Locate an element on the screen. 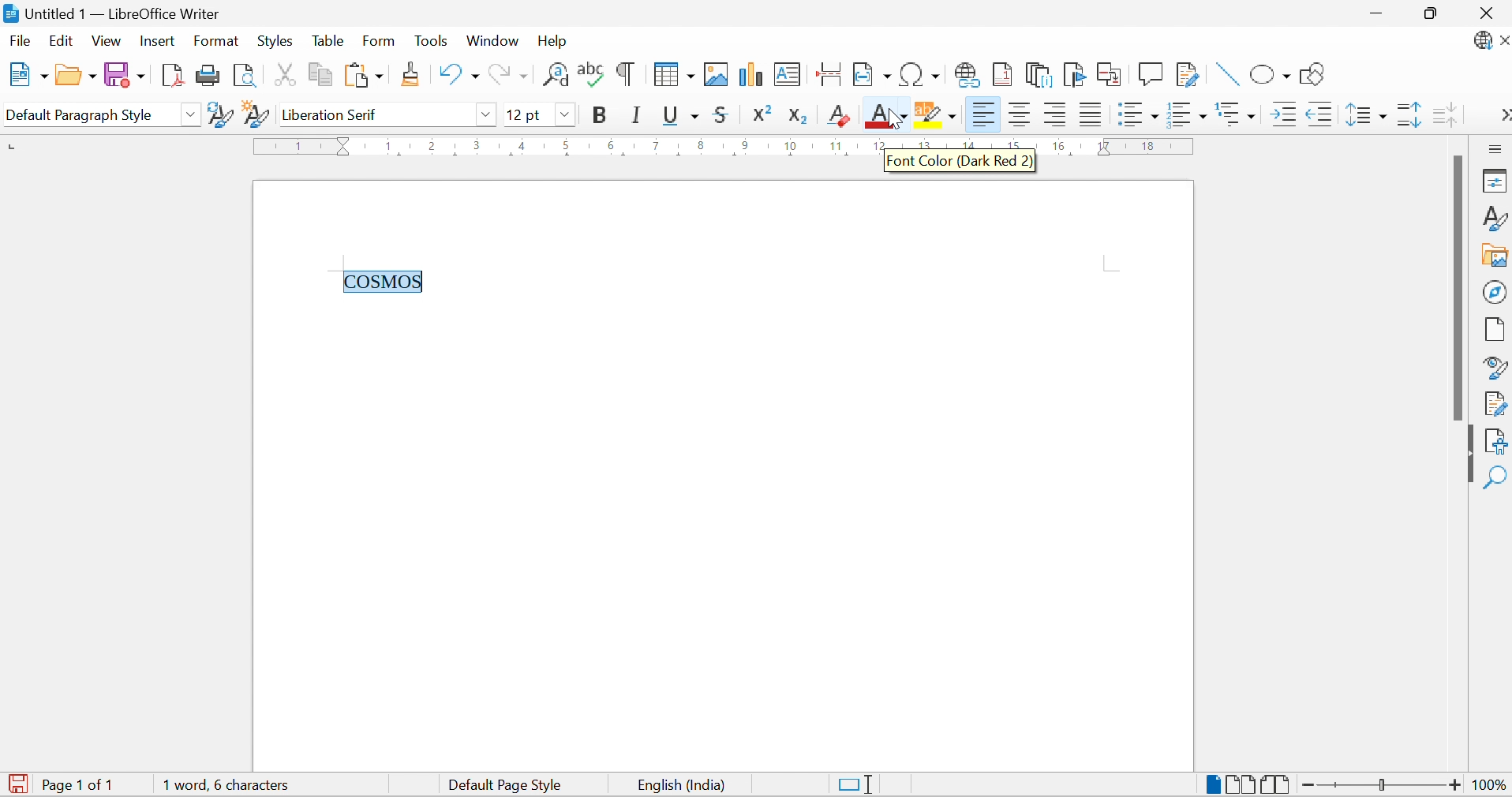  Underline is located at coordinates (680, 117).